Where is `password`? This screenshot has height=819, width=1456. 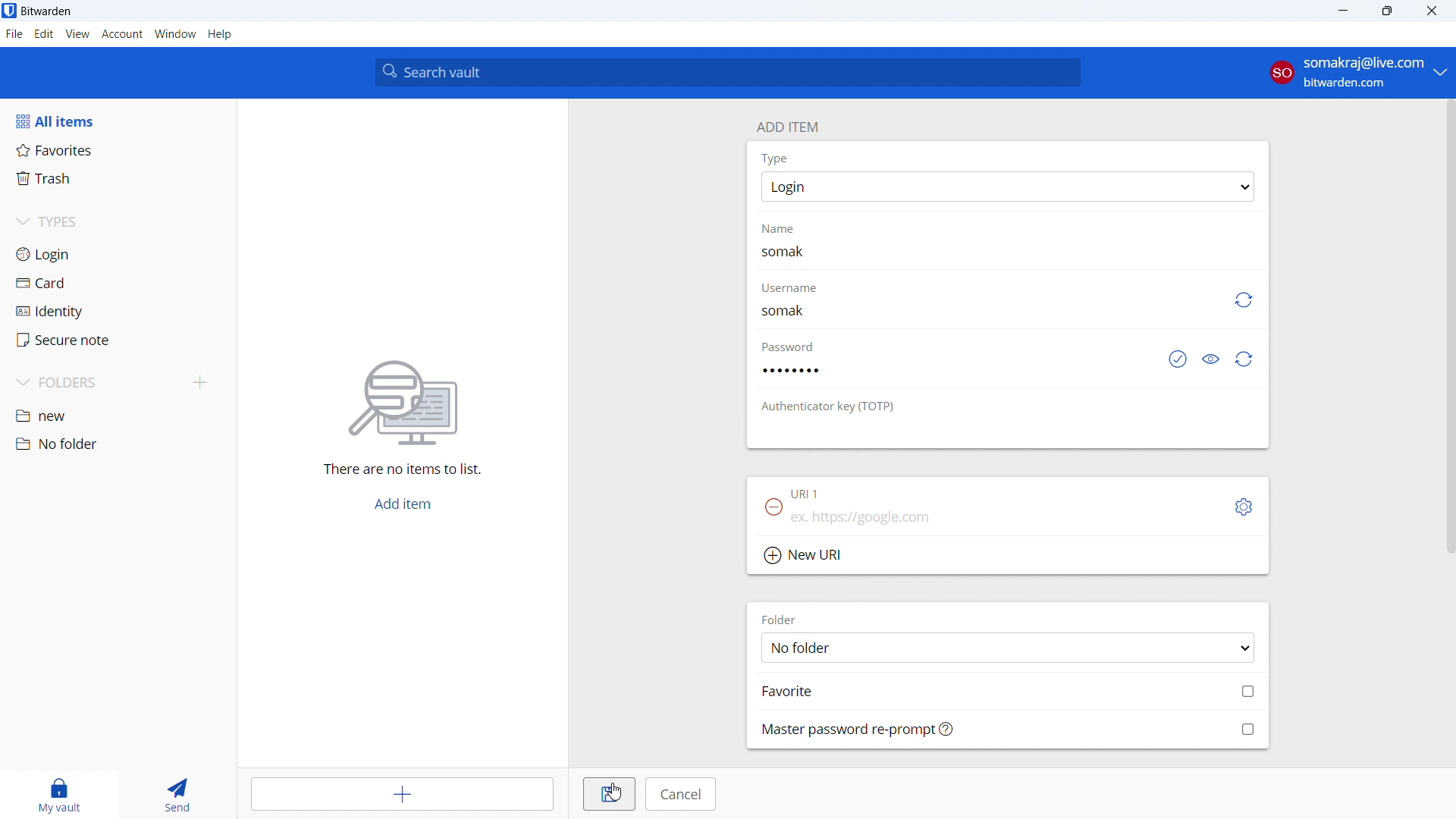
password is located at coordinates (786, 345).